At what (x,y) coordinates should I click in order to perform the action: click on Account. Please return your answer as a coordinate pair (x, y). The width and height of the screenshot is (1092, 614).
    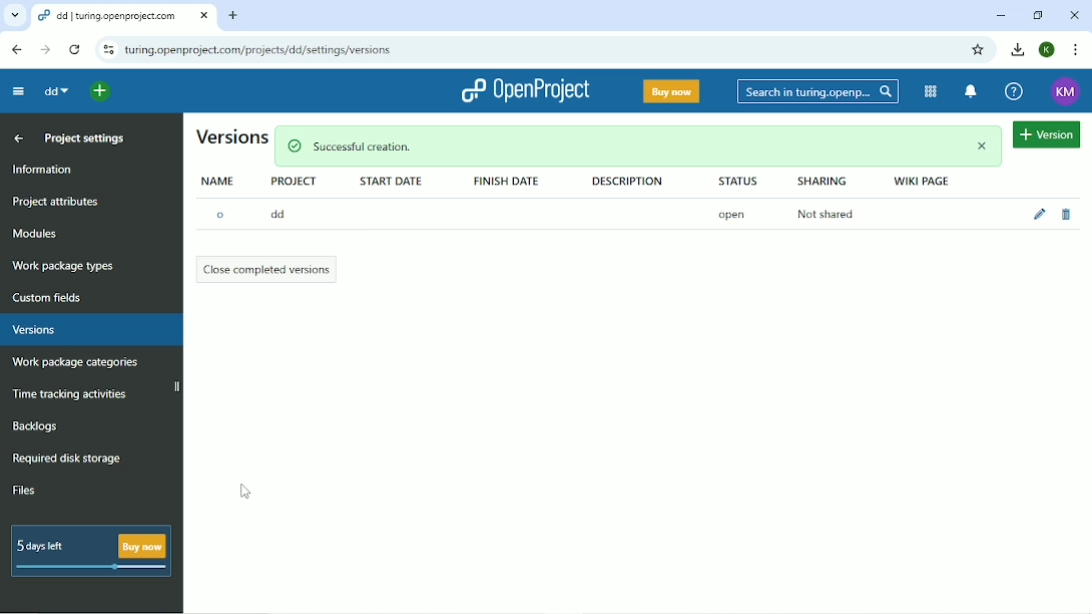
    Looking at the image, I should click on (1066, 92).